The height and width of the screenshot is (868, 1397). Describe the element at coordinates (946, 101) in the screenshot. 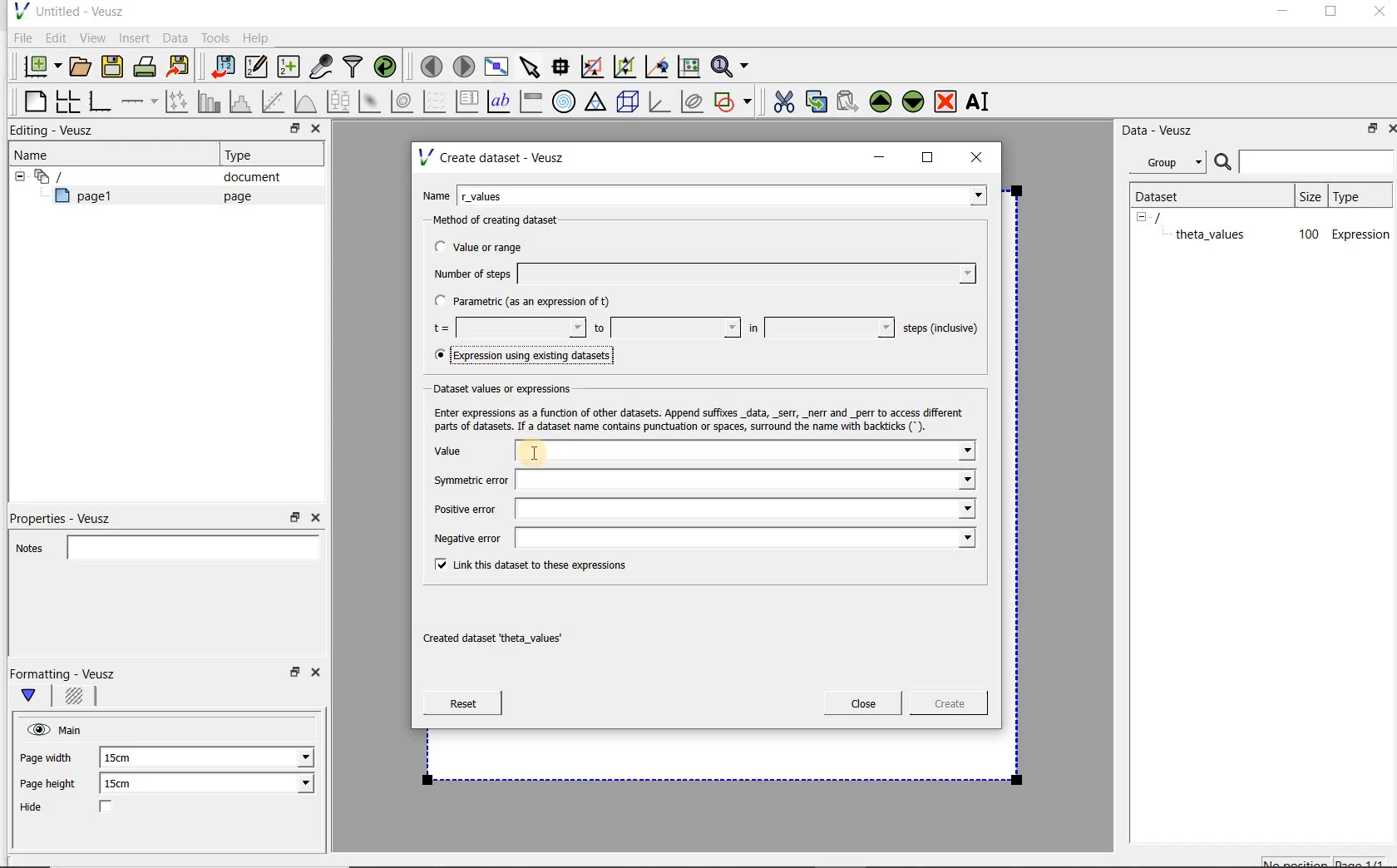

I see `remove the selected widget` at that location.